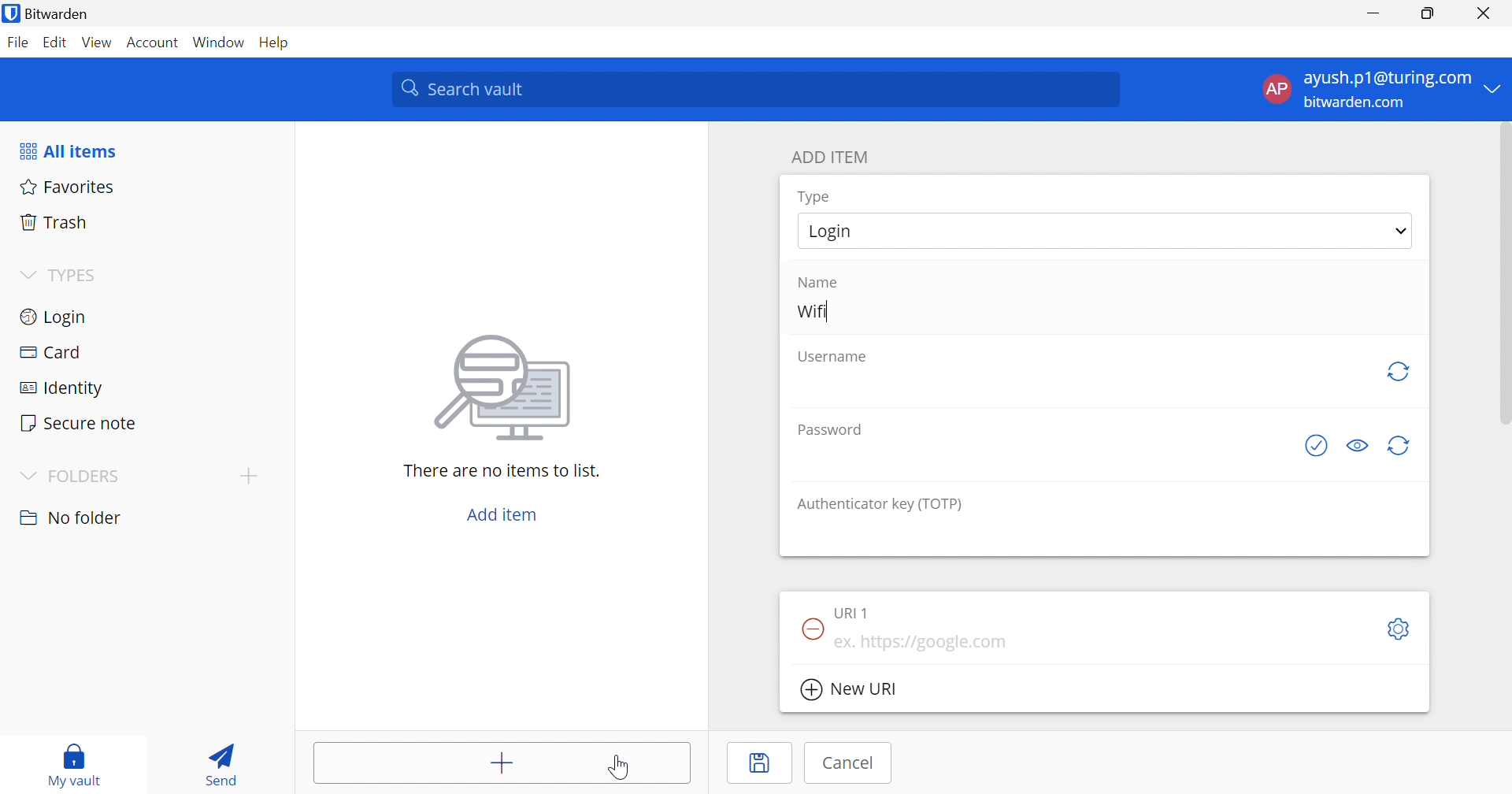 This screenshot has width=1512, height=794. I want to click on Authenticator key (TOTP), so click(880, 504).